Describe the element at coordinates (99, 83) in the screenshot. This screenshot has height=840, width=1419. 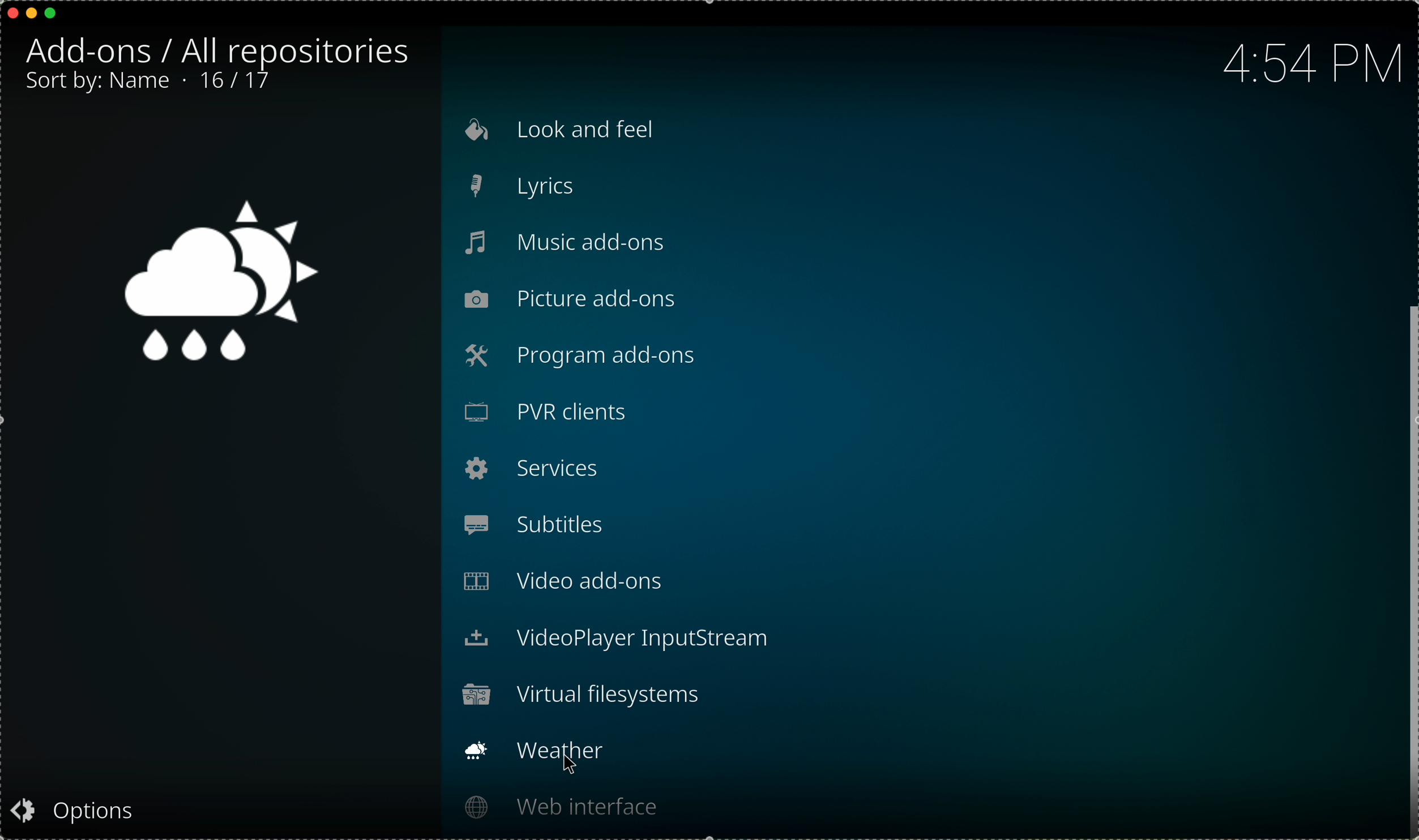
I see `sort by: name` at that location.